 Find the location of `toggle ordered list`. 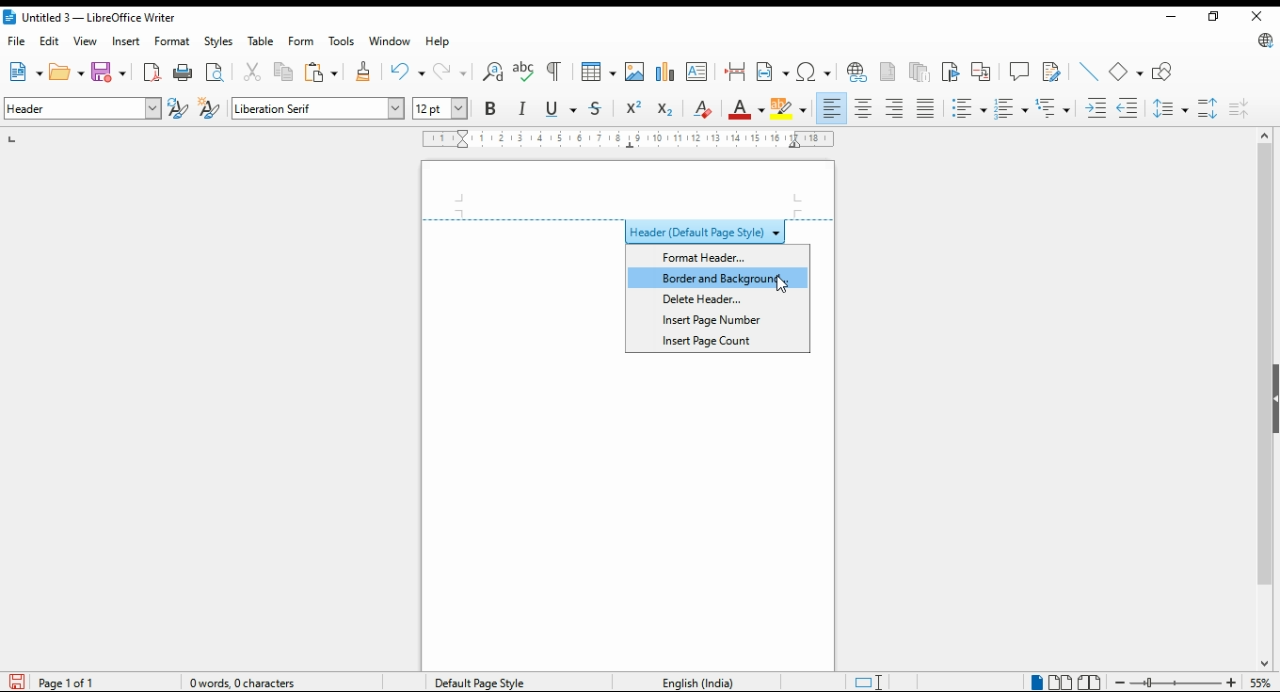

toggle ordered list is located at coordinates (1011, 109).